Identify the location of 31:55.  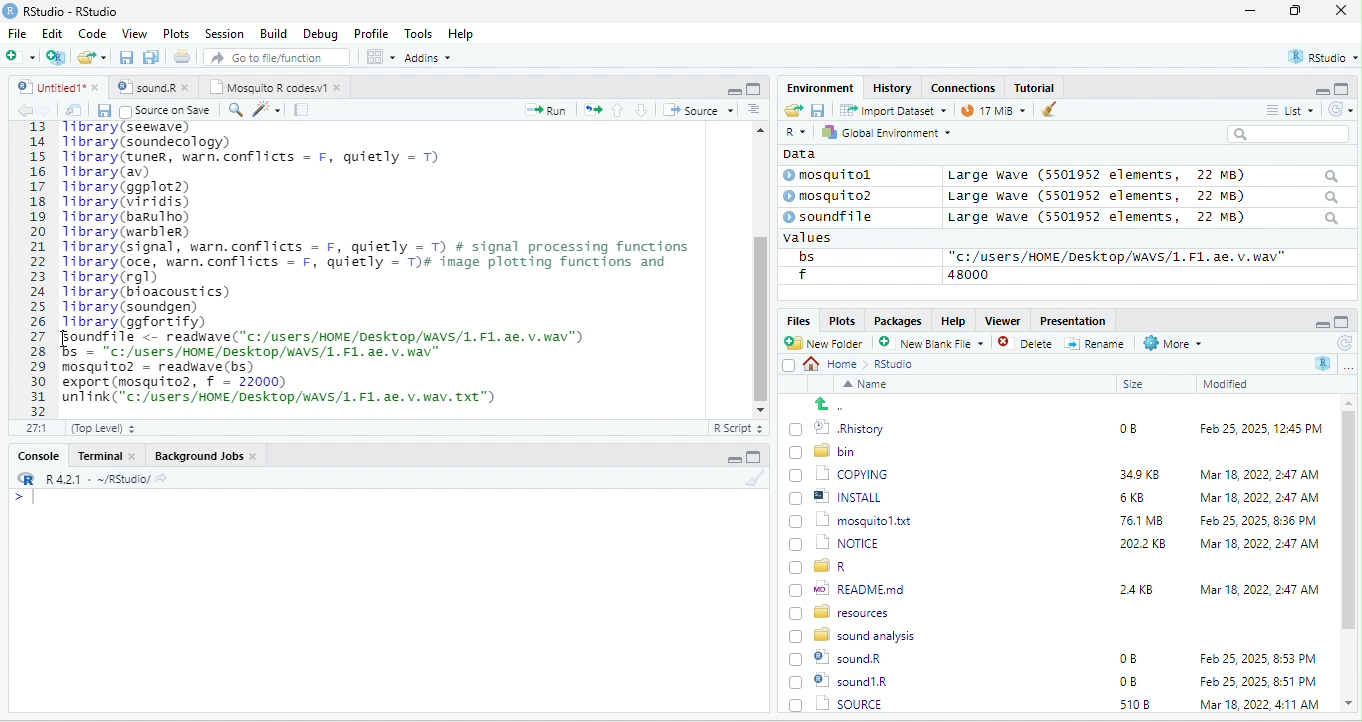
(34, 428).